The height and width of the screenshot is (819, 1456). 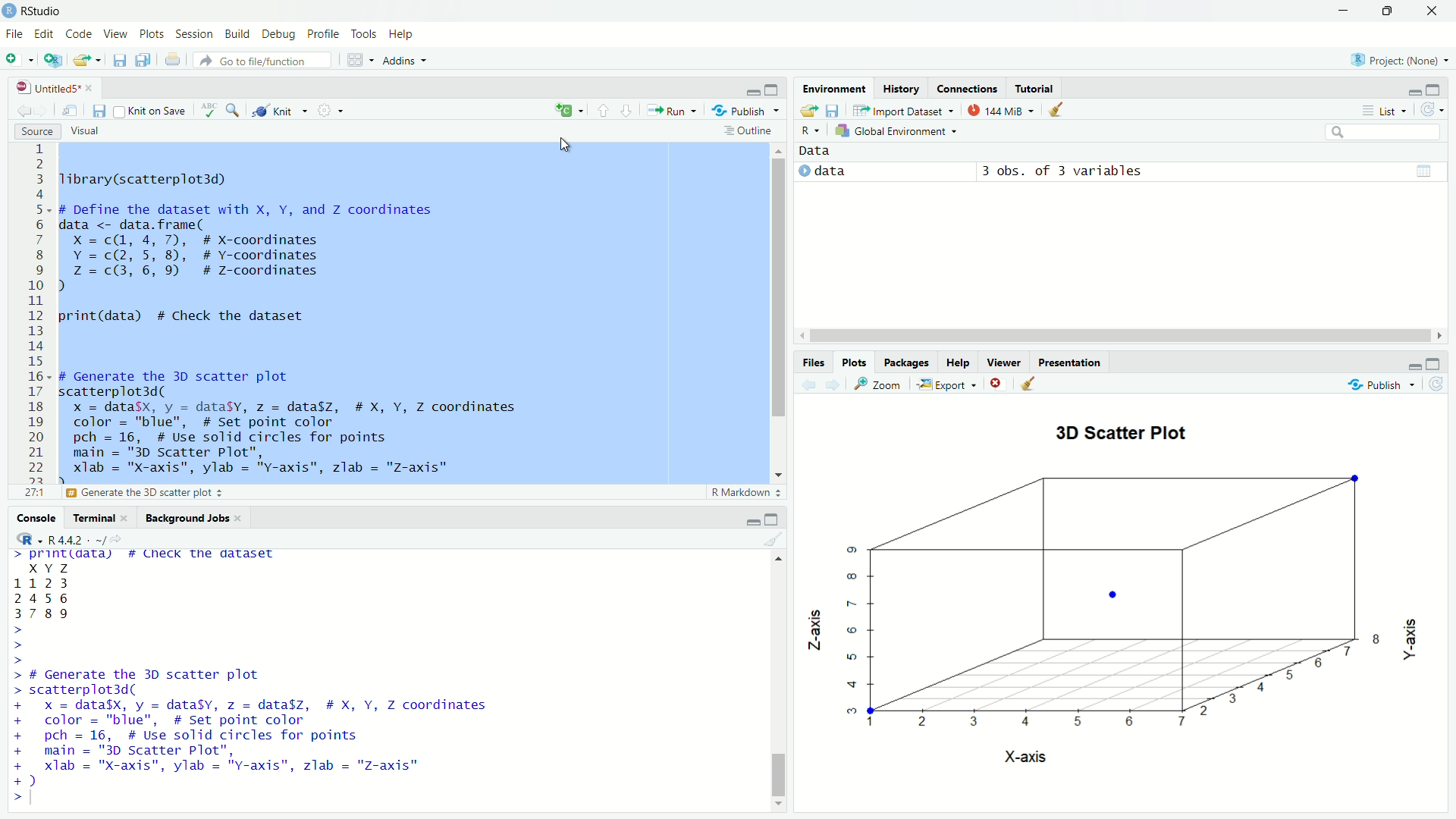 I want to click on typing cursor, so click(x=38, y=801).